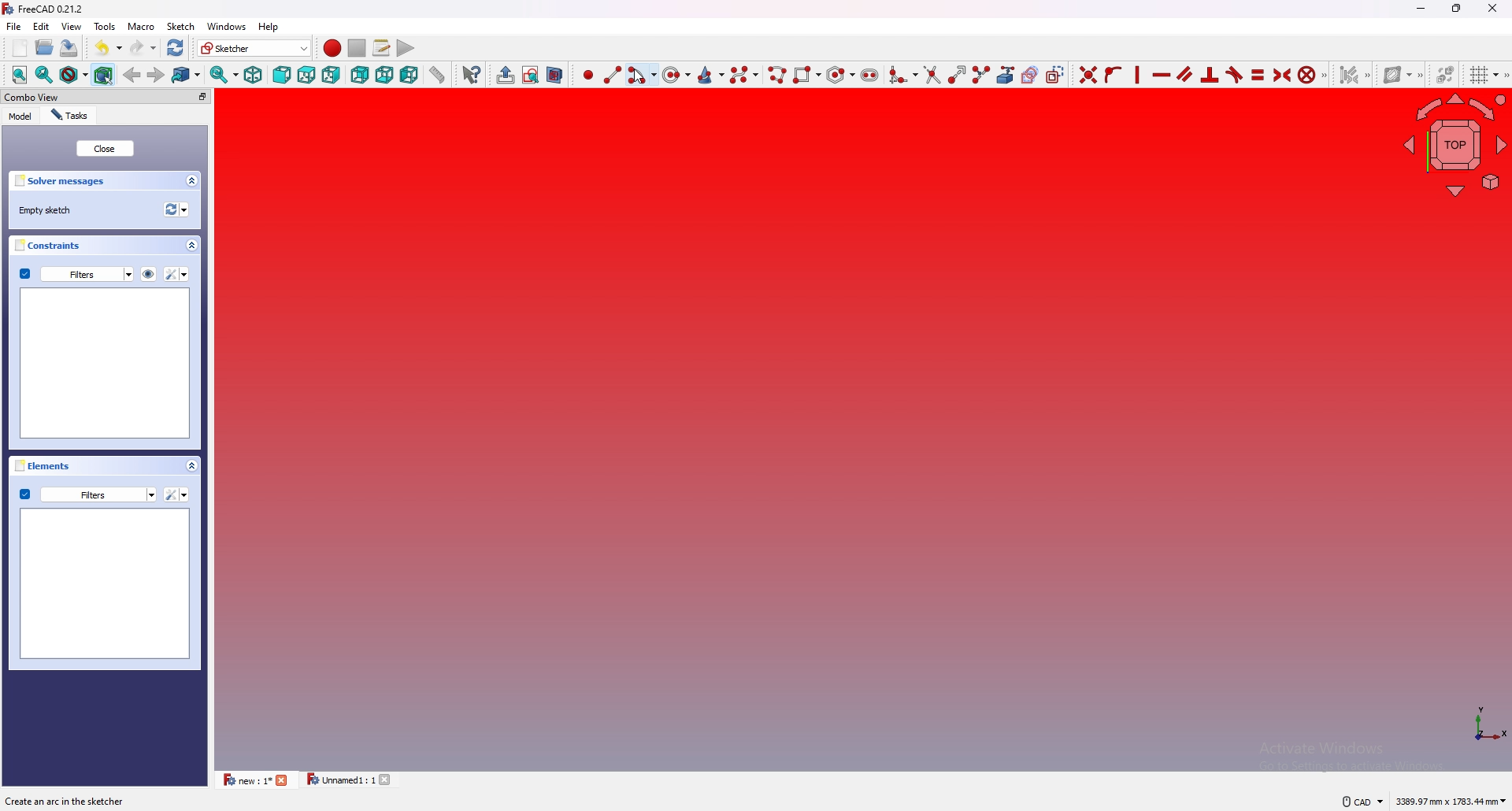 Image resolution: width=1512 pixels, height=811 pixels. I want to click on save, so click(68, 47).